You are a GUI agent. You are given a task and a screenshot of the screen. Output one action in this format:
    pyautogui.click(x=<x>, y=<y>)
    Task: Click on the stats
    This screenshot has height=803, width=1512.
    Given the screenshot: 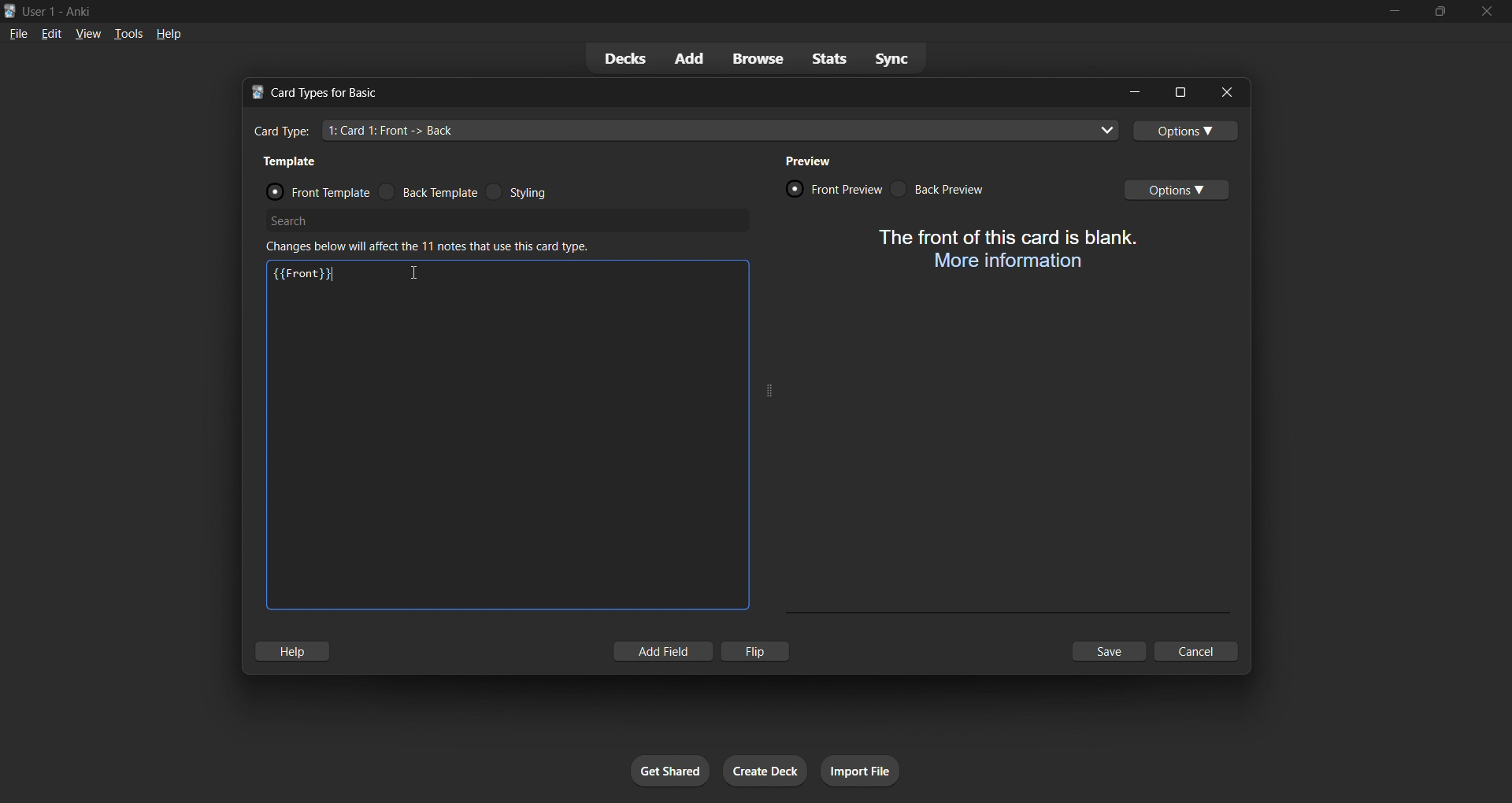 What is the action you would take?
    pyautogui.click(x=825, y=61)
    